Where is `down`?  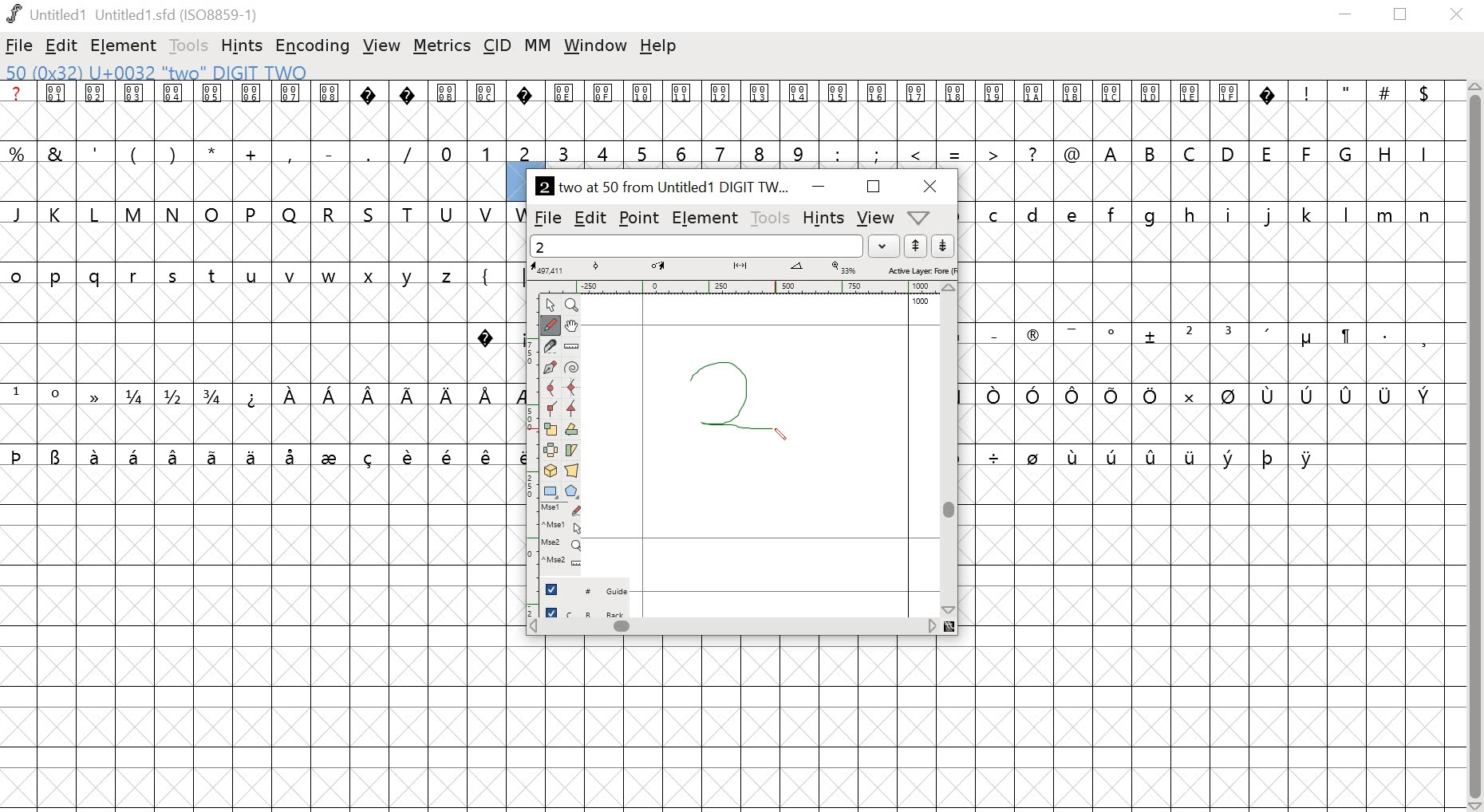 down is located at coordinates (943, 246).